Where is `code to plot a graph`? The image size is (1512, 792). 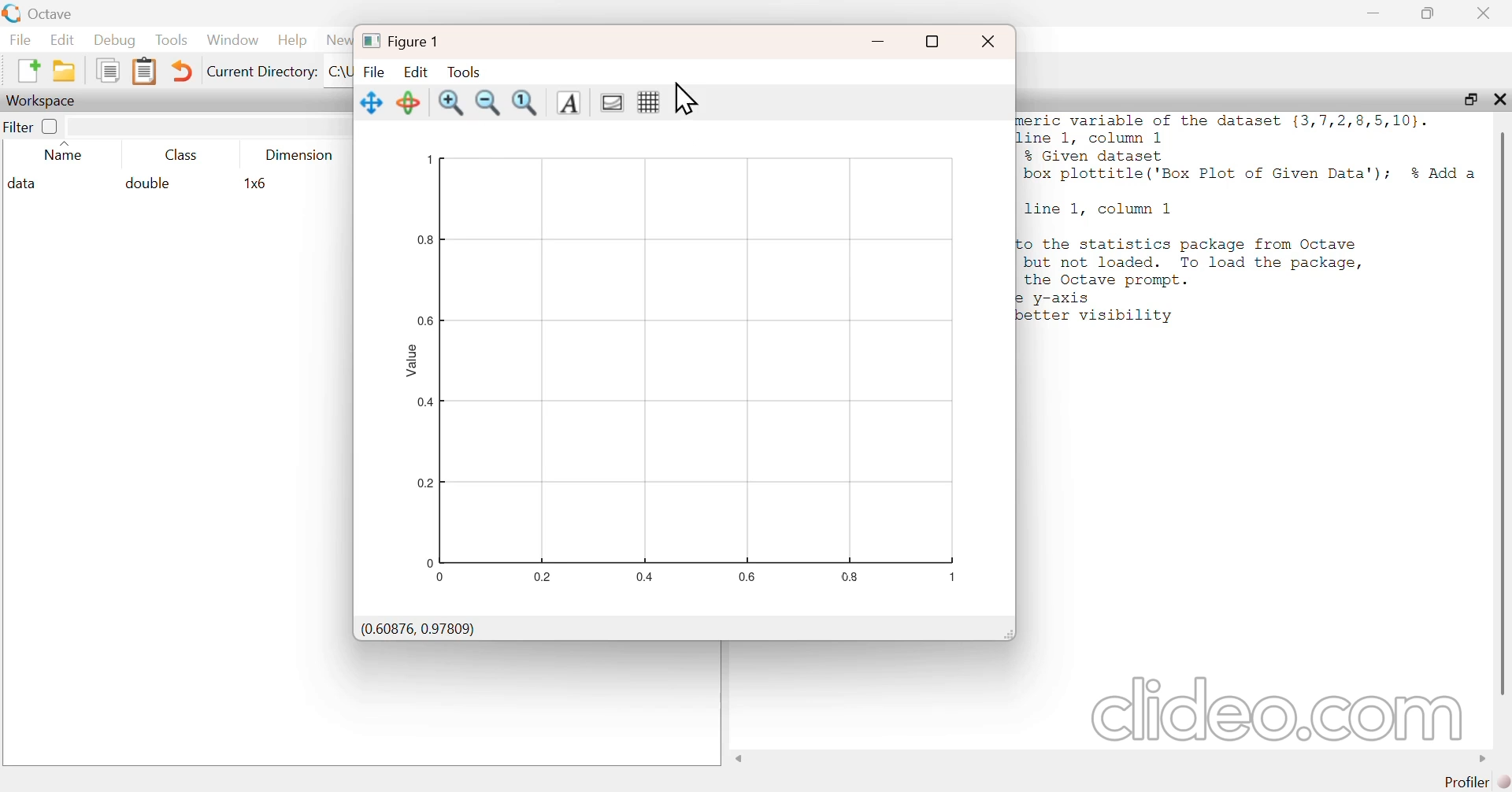 code to plot a graph is located at coordinates (1247, 221).